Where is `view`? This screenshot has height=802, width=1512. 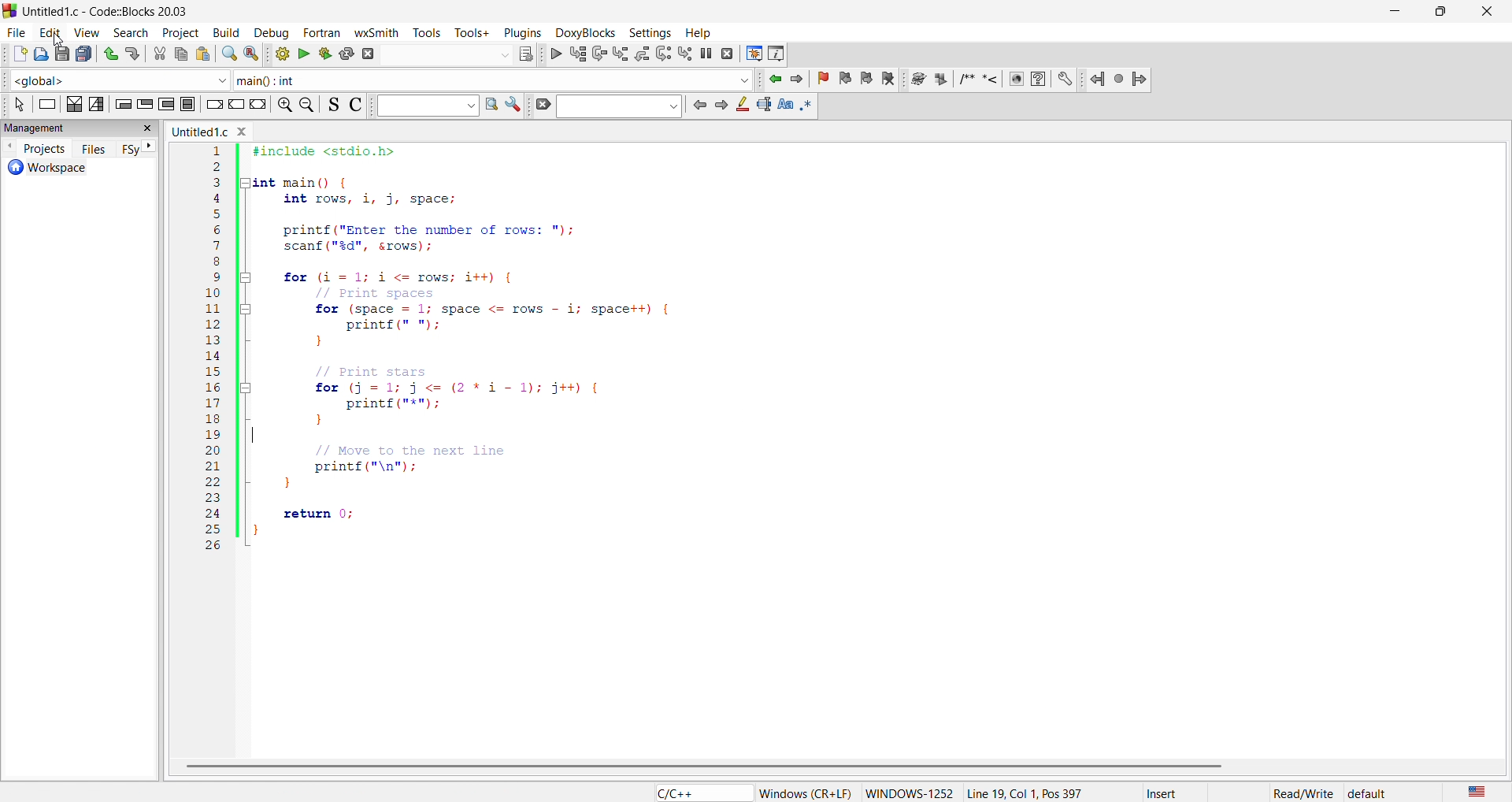
view is located at coordinates (87, 31).